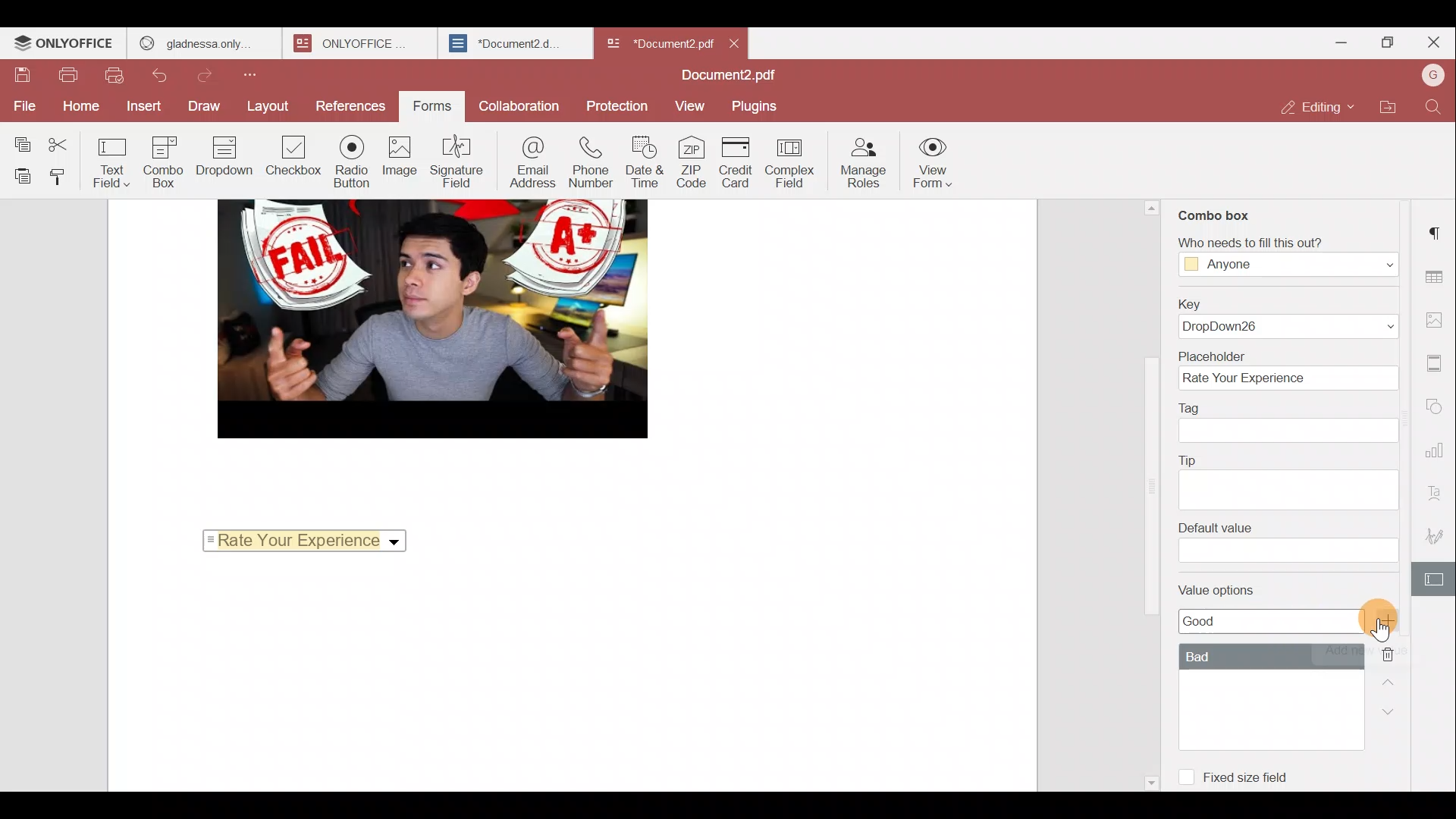 The width and height of the screenshot is (1456, 819). What do you see at coordinates (21, 105) in the screenshot?
I see `File` at bounding box center [21, 105].